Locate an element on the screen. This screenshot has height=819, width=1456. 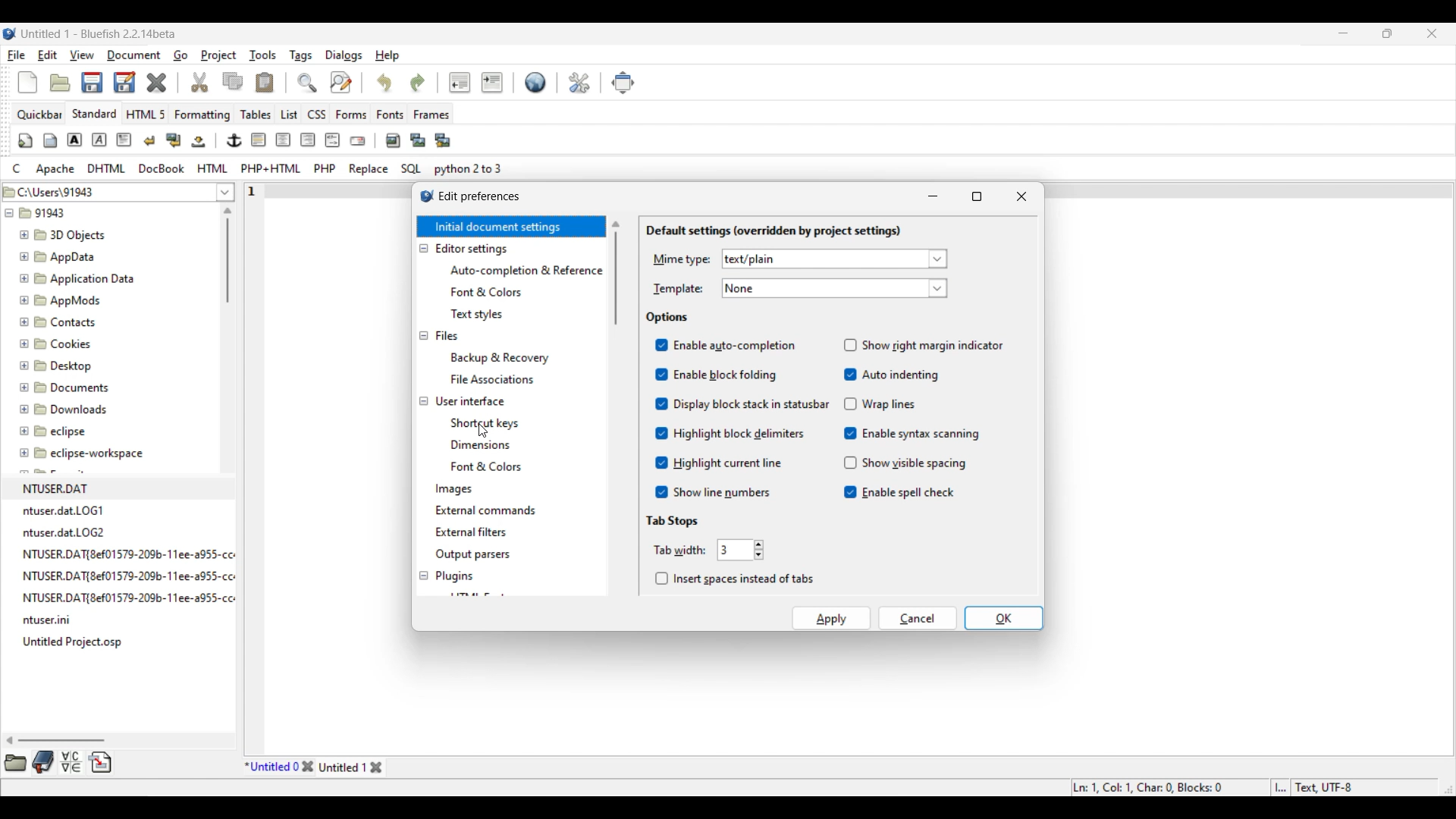
Project menu is located at coordinates (218, 55).